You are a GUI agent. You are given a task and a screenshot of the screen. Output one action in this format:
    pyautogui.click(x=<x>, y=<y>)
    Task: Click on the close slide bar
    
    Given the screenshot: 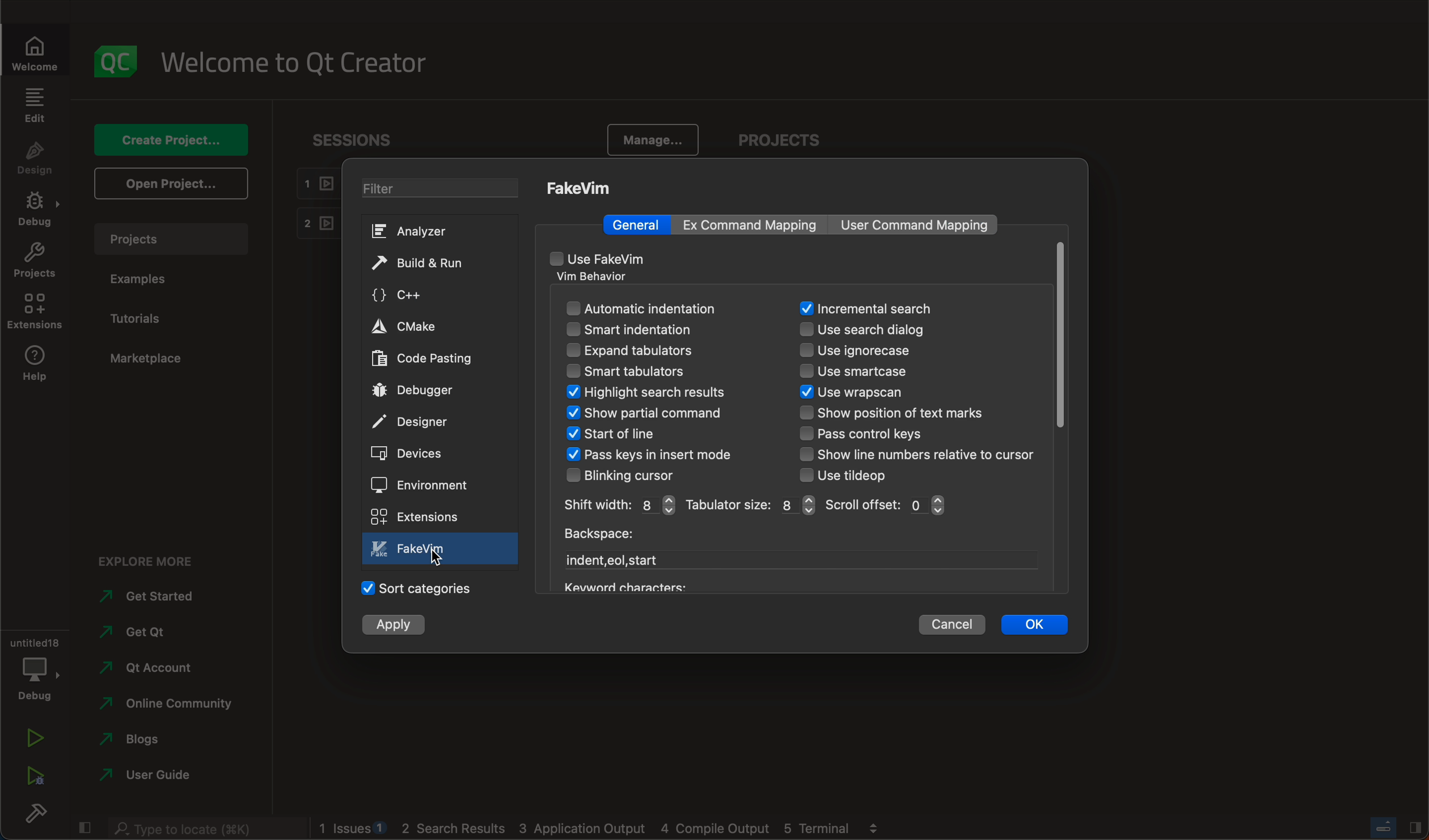 What is the action you would take?
    pyautogui.click(x=1398, y=829)
    